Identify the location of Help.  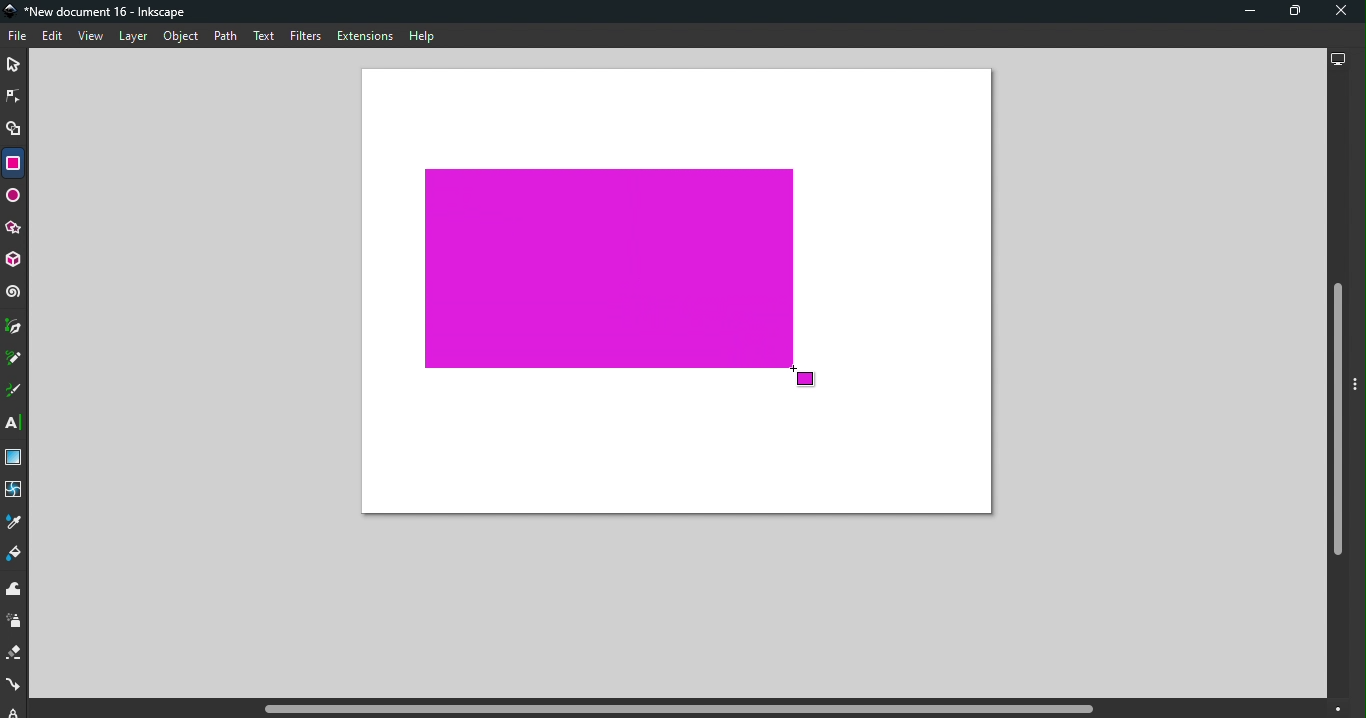
(422, 36).